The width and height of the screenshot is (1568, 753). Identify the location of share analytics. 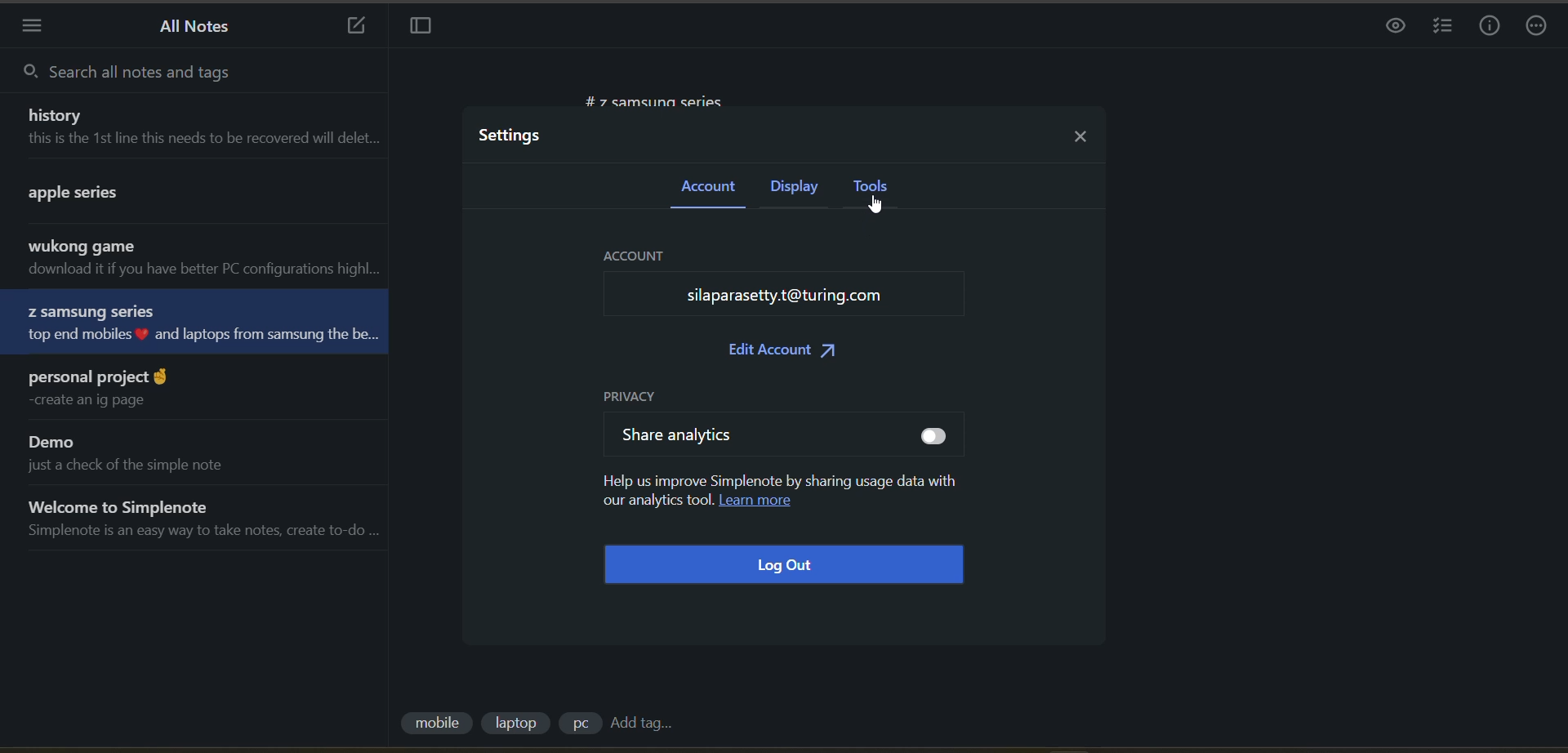
(672, 437).